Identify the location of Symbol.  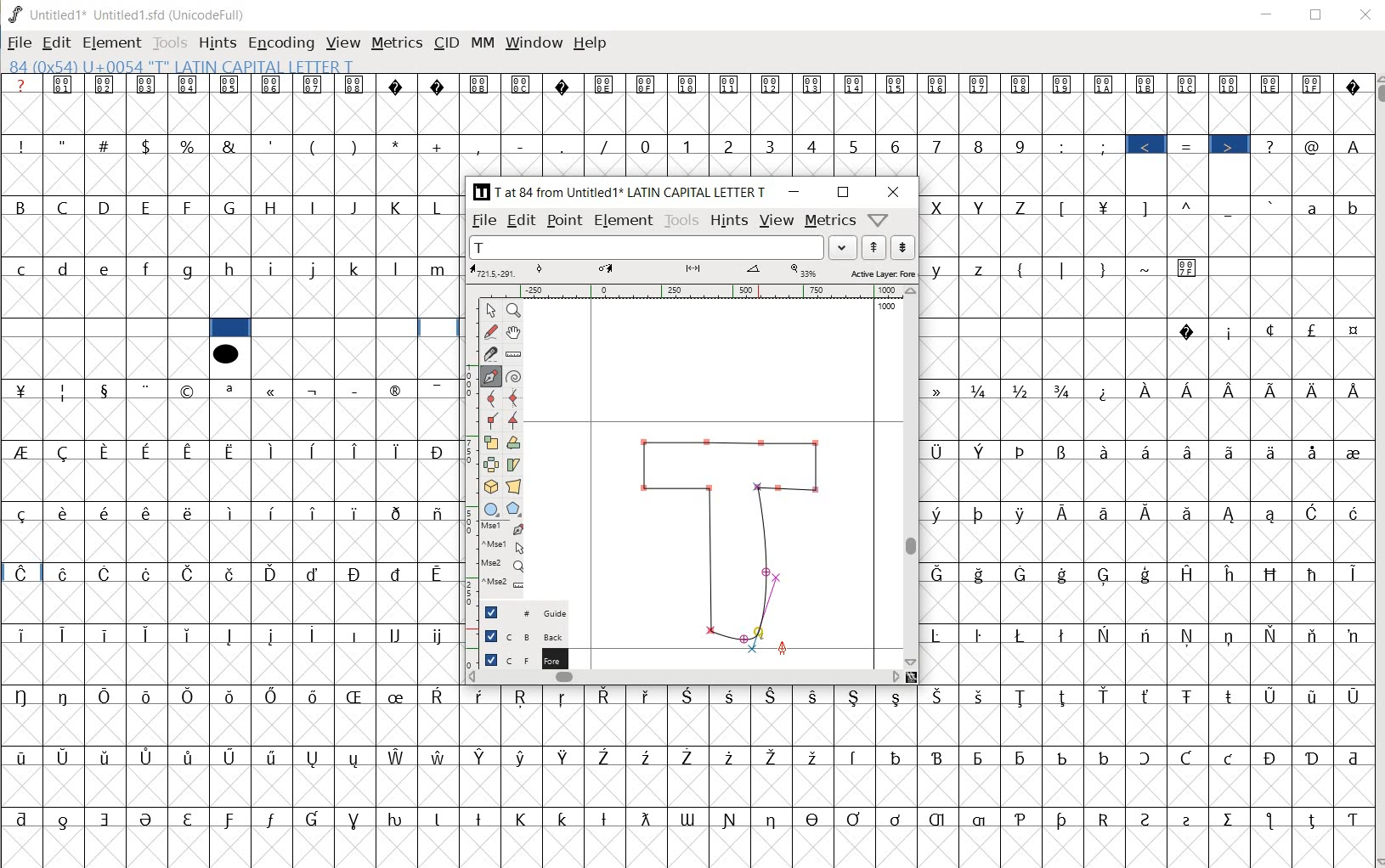
(314, 573).